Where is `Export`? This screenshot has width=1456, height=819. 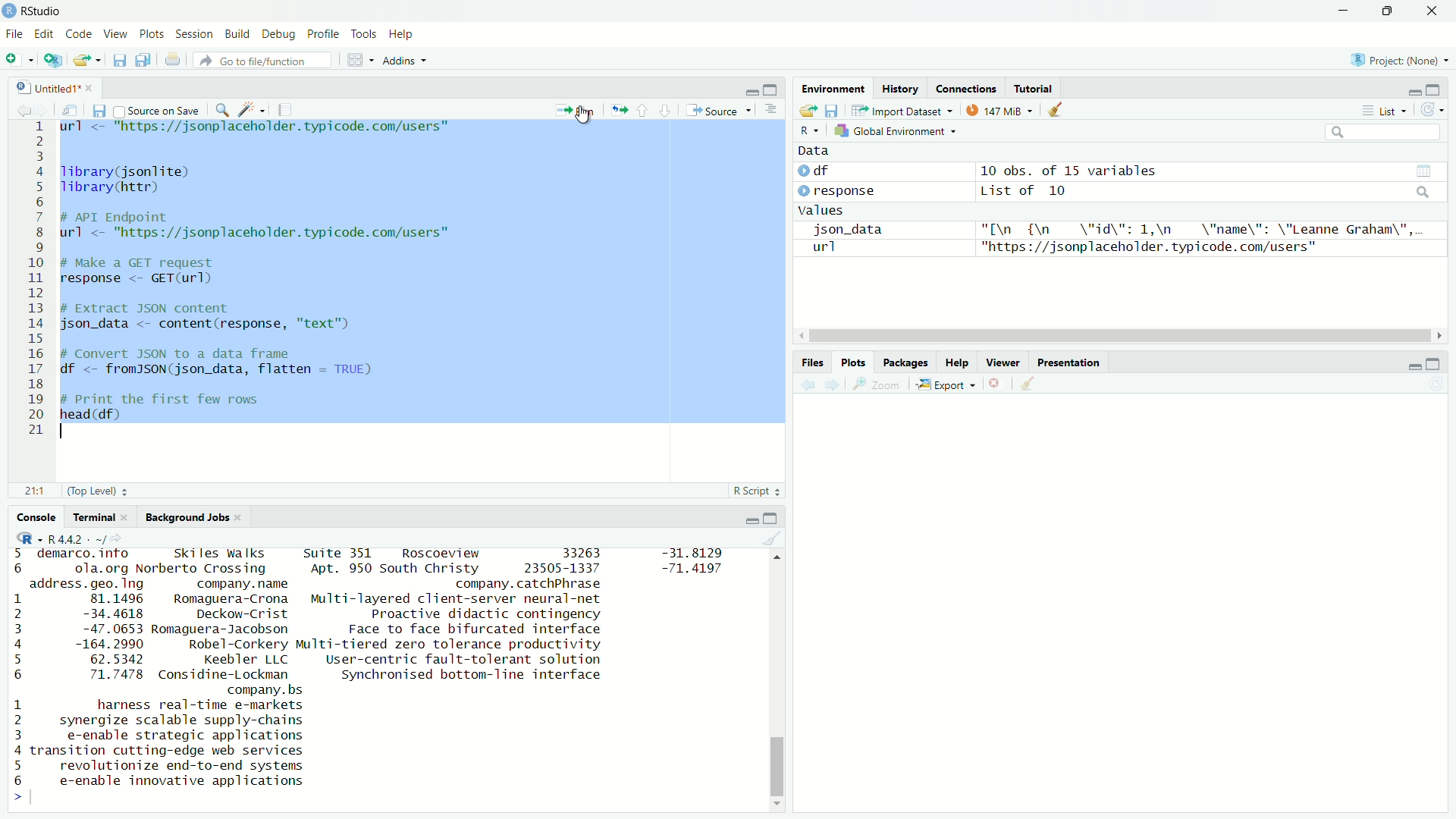
Export is located at coordinates (944, 385).